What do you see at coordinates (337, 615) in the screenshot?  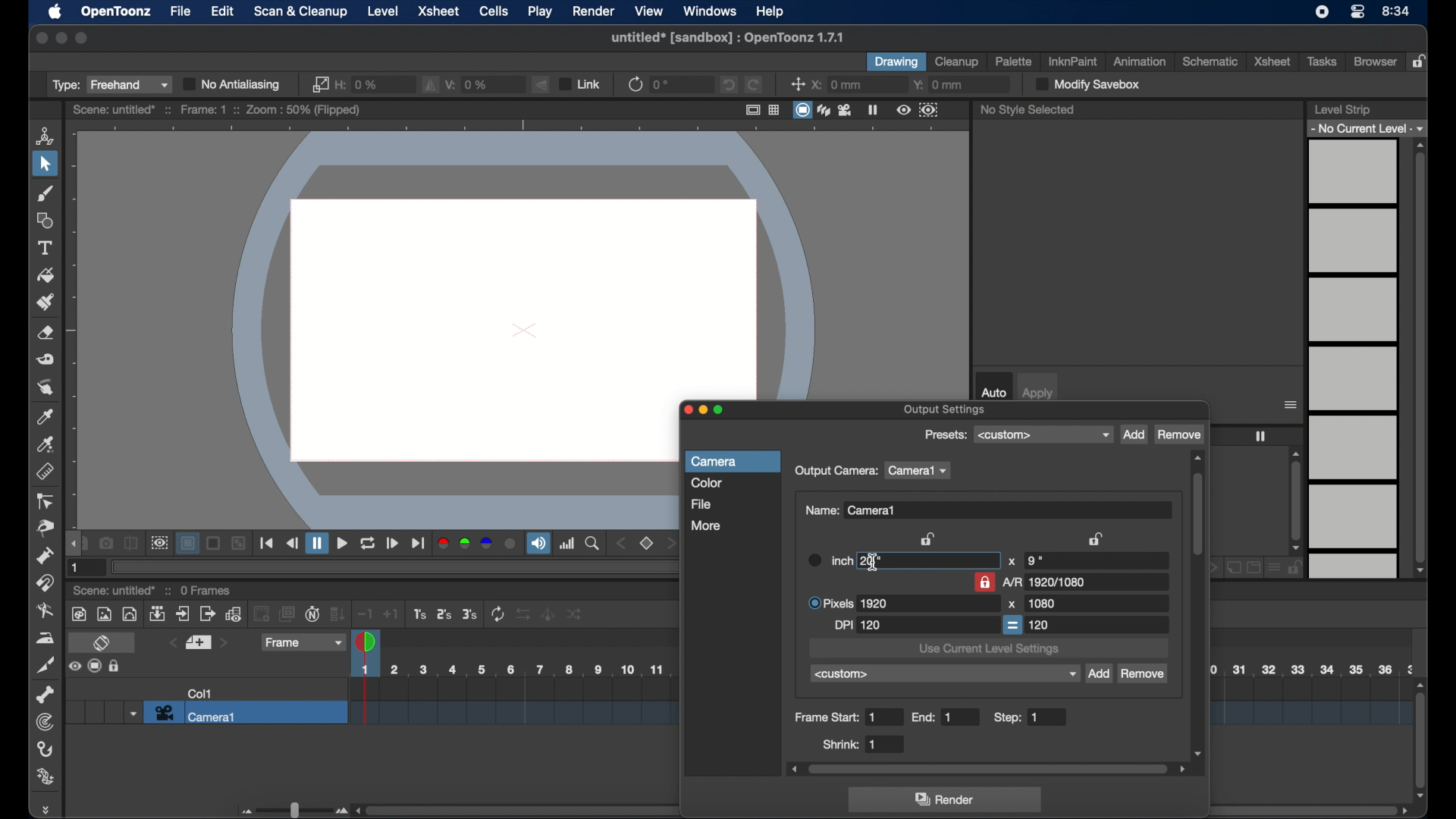 I see `` at bounding box center [337, 615].